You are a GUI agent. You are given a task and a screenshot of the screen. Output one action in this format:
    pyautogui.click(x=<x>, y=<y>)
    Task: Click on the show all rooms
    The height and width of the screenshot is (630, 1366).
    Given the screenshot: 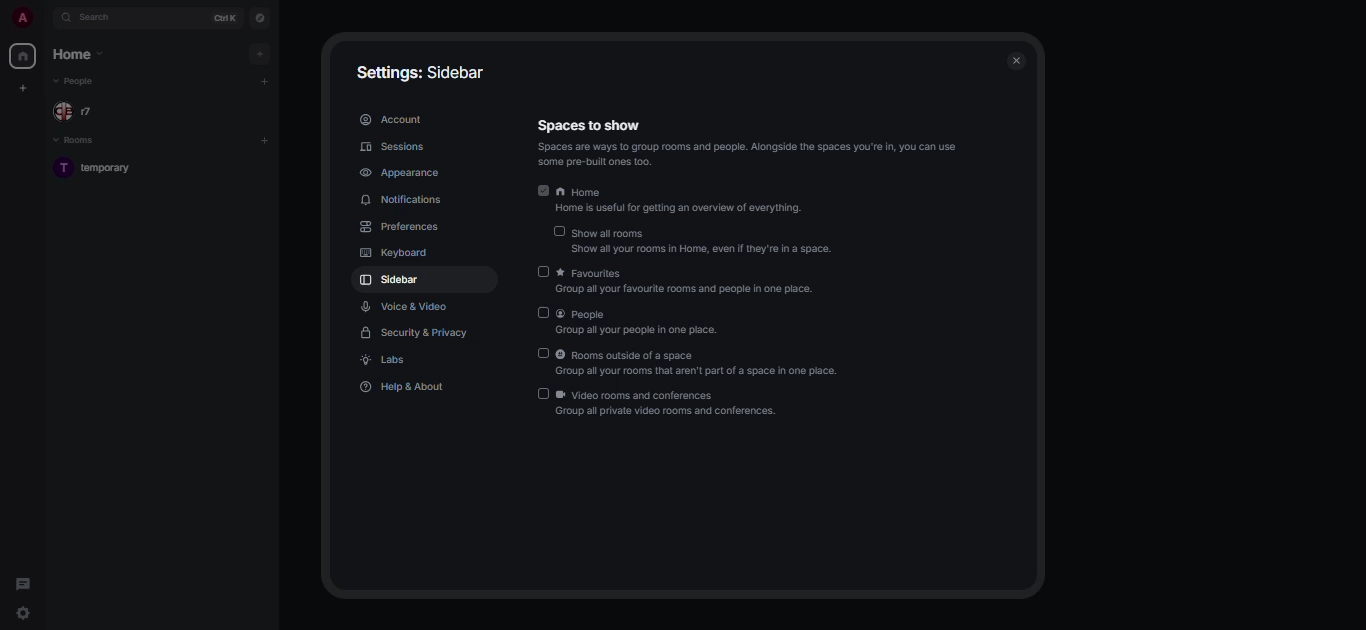 What is the action you would take?
    pyautogui.click(x=703, y=230)
    